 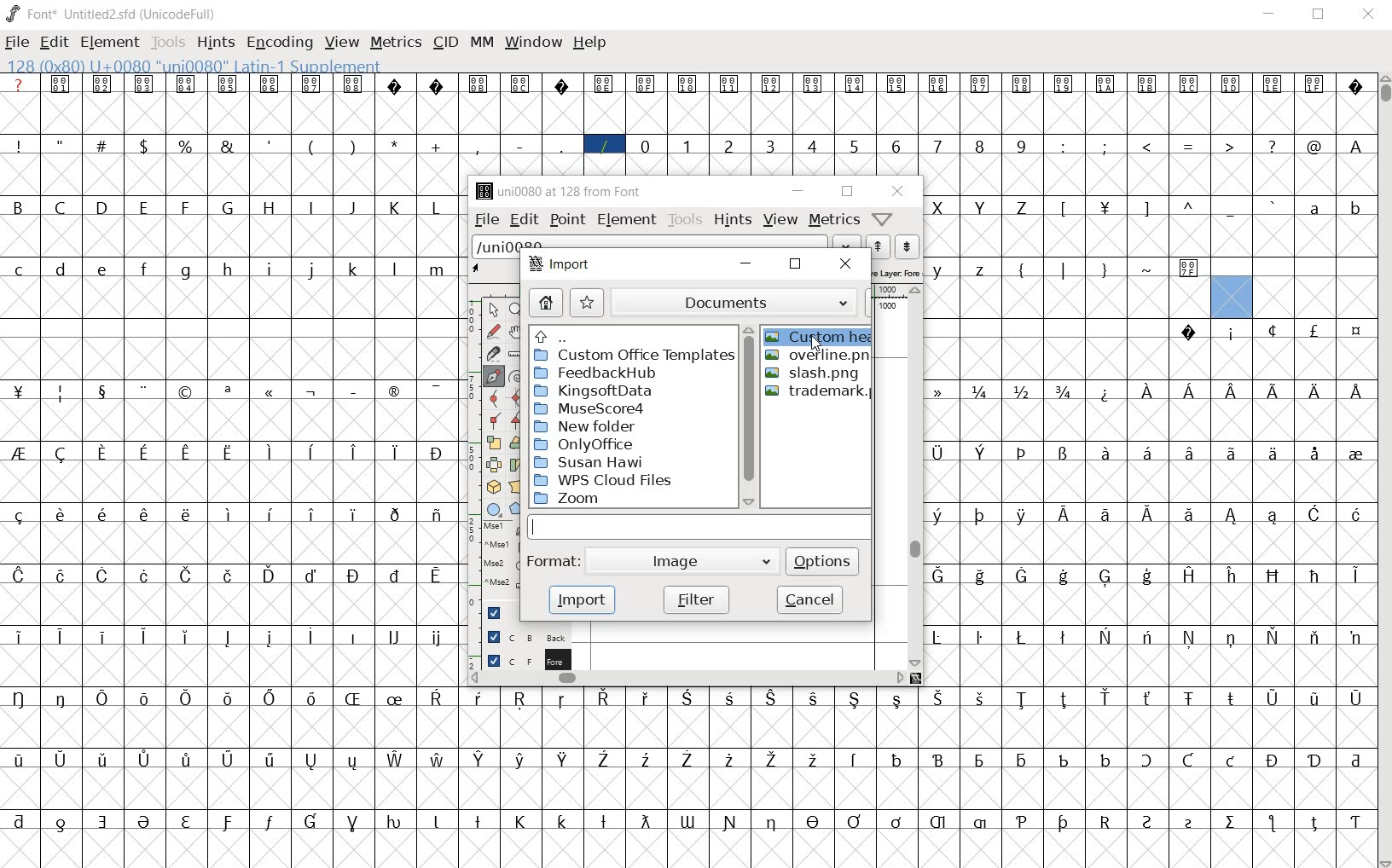 What do you see at coordinates (311, 452) in the screenshot?
I see `glyph` at bounding box center [311, 452].